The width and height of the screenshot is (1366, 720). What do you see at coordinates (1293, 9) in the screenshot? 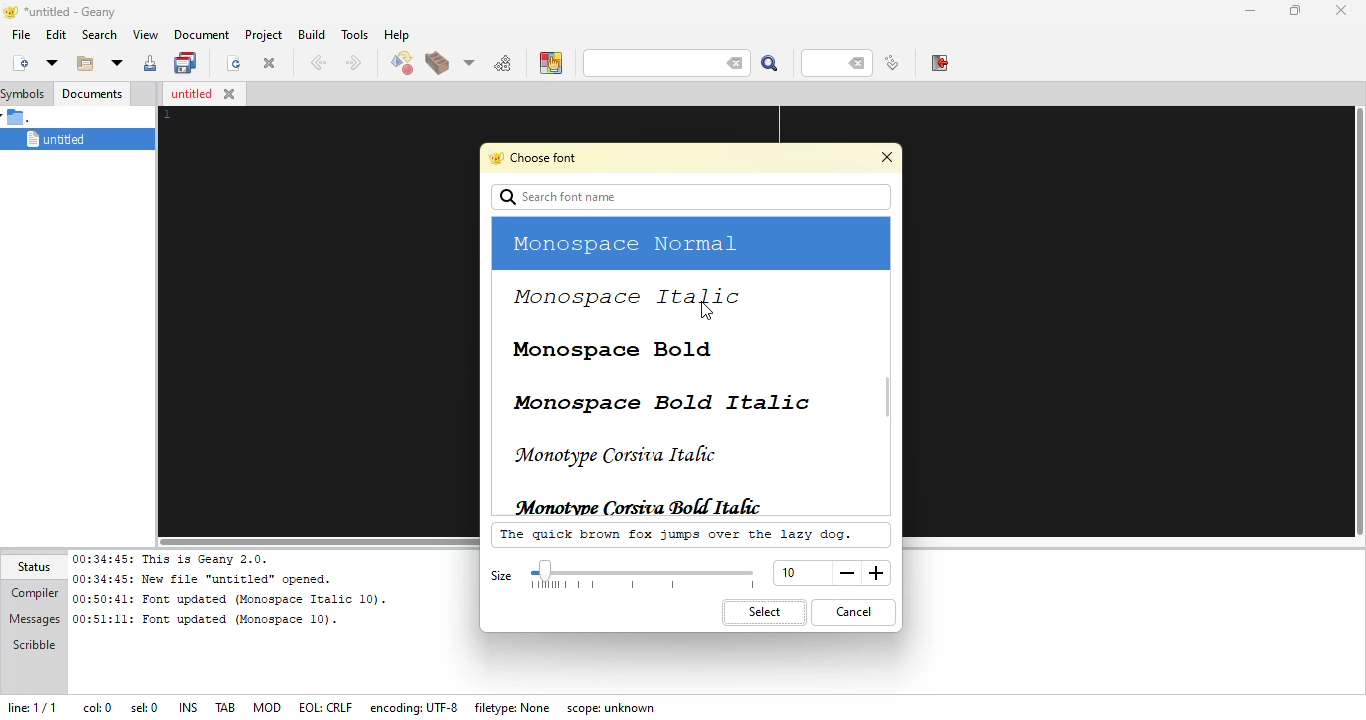
I see `maximize` at bounding box center [1293, 9].